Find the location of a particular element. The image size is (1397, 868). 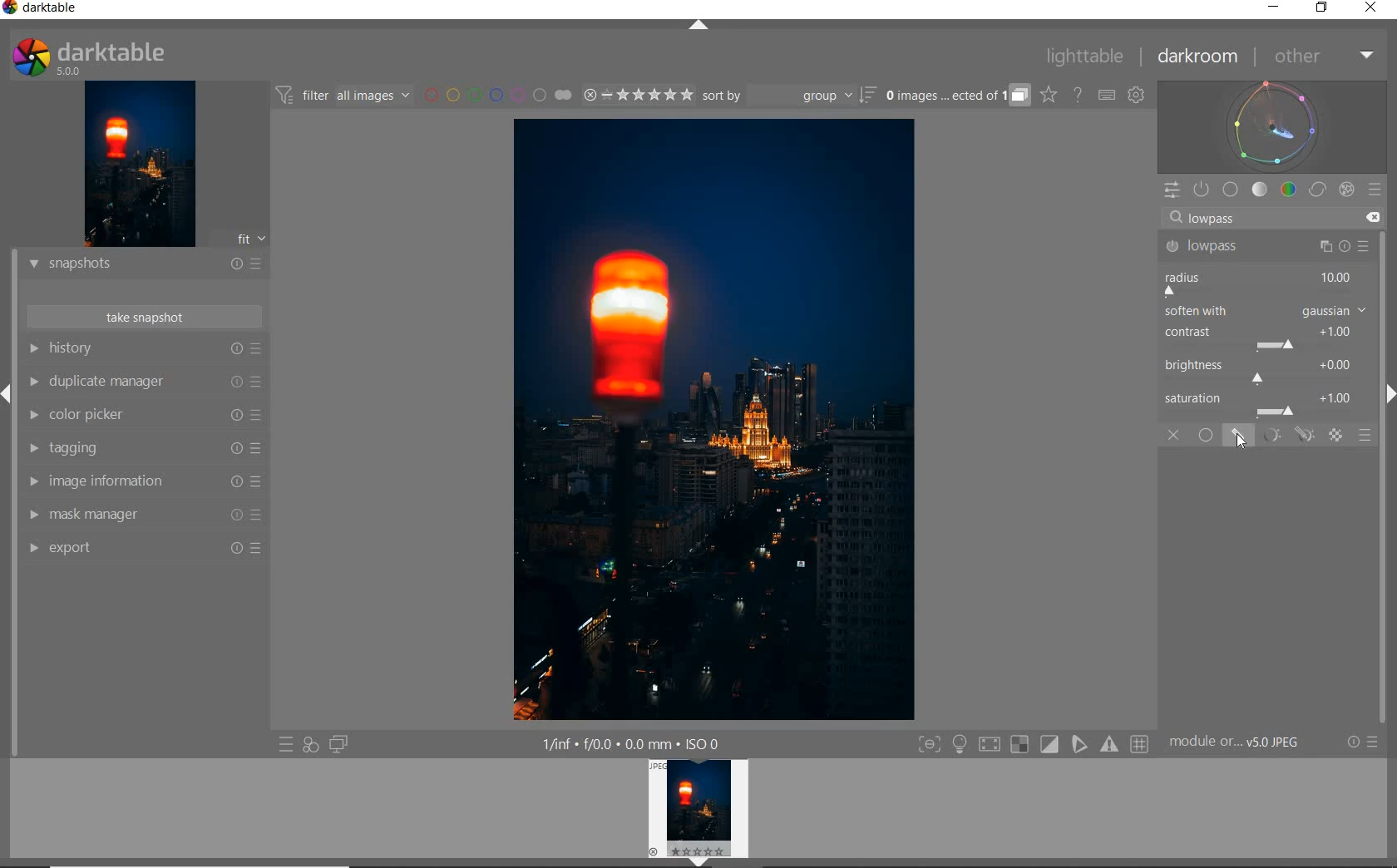

CORRECT is located at coordinates (1317, 190).